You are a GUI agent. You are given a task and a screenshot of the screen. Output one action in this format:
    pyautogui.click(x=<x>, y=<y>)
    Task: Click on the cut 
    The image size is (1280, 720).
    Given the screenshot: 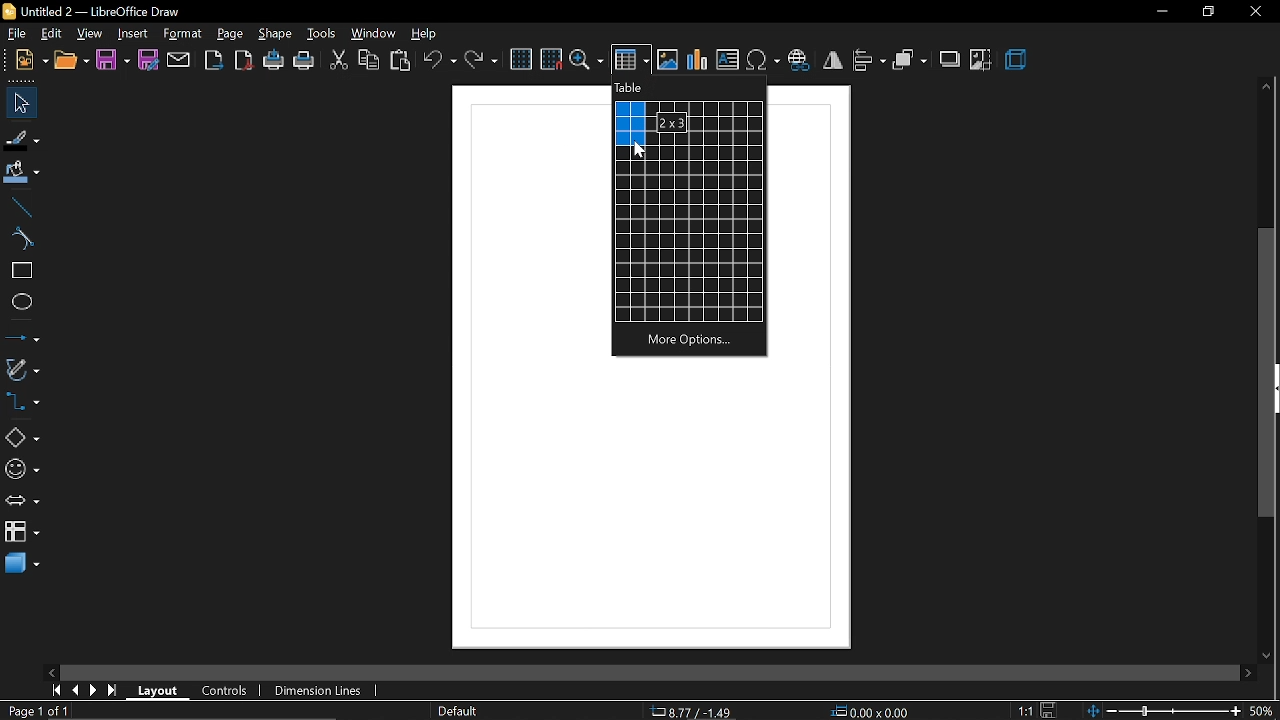 What is the action you would take?
    pyautogui.click(x=338, y=61)
    